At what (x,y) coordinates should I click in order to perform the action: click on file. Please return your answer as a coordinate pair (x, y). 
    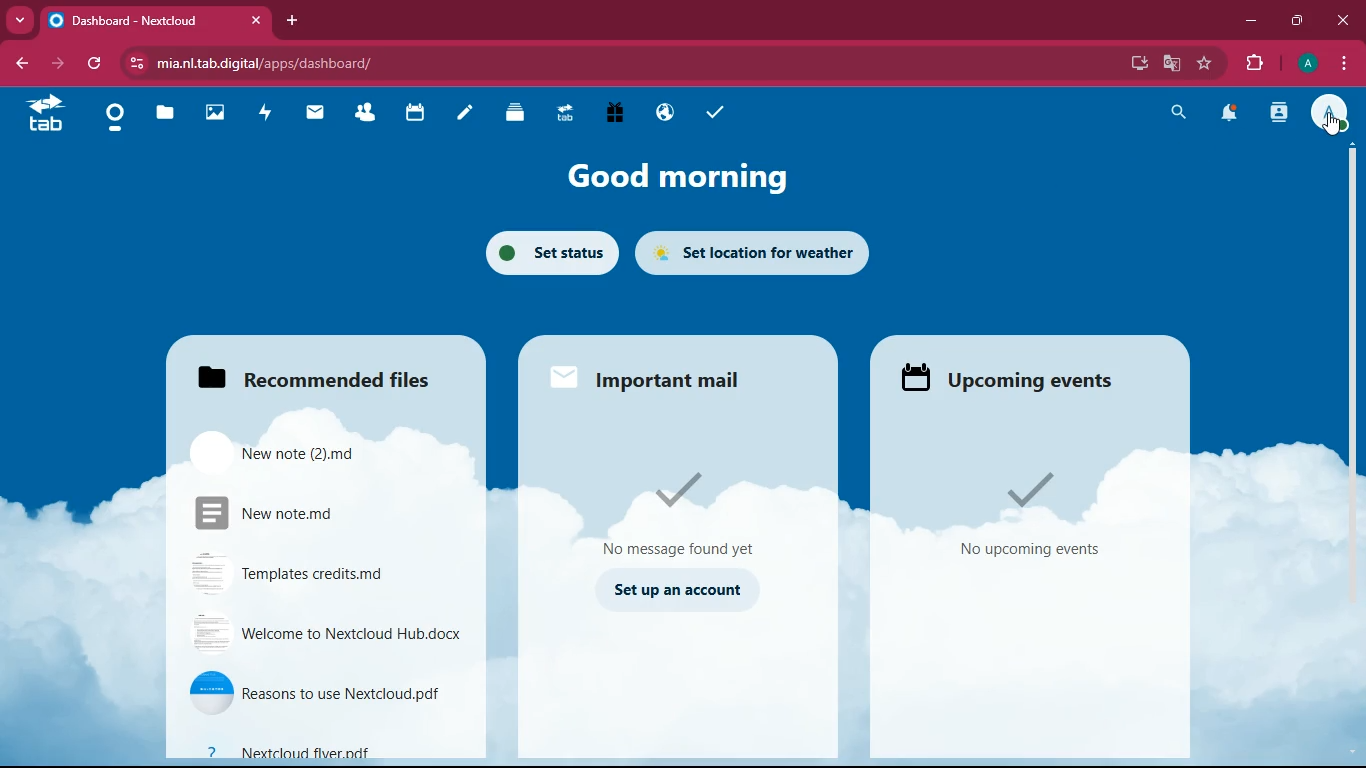
    Looking at the image, I should click on (312, 694).